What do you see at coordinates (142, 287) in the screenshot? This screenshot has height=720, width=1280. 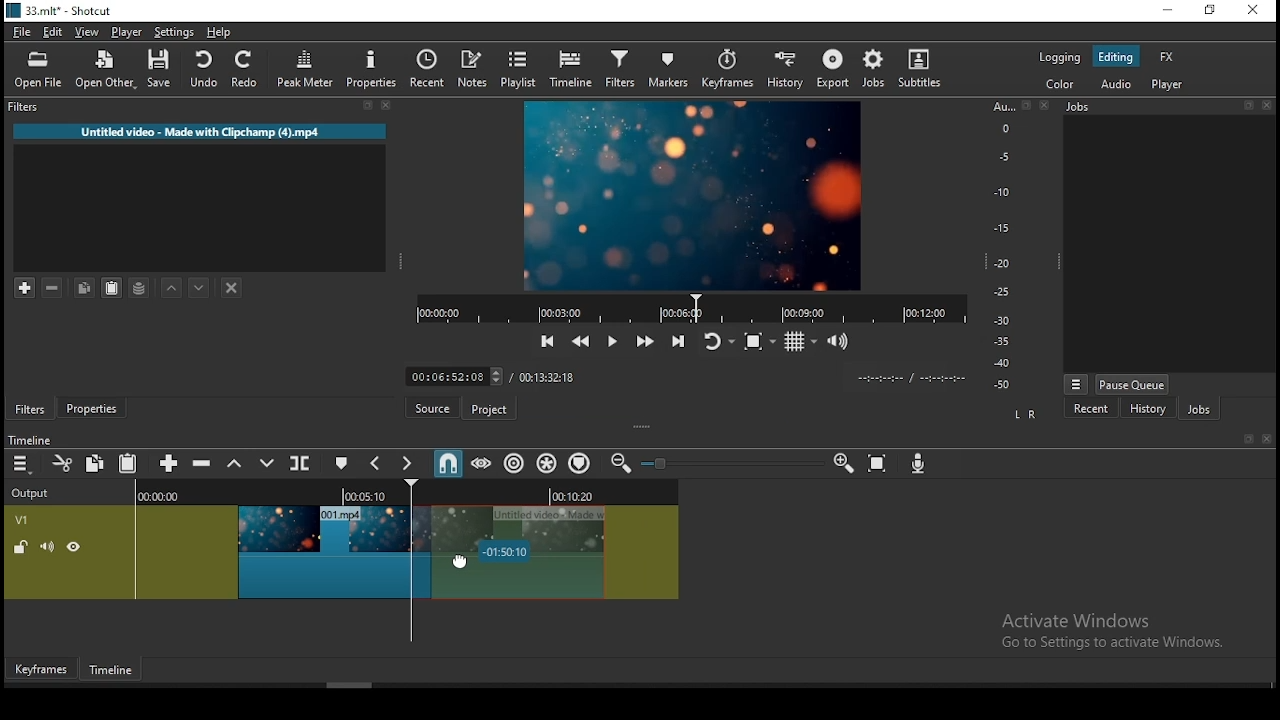 I see `save filter sets` at bounding box center [142, 287].